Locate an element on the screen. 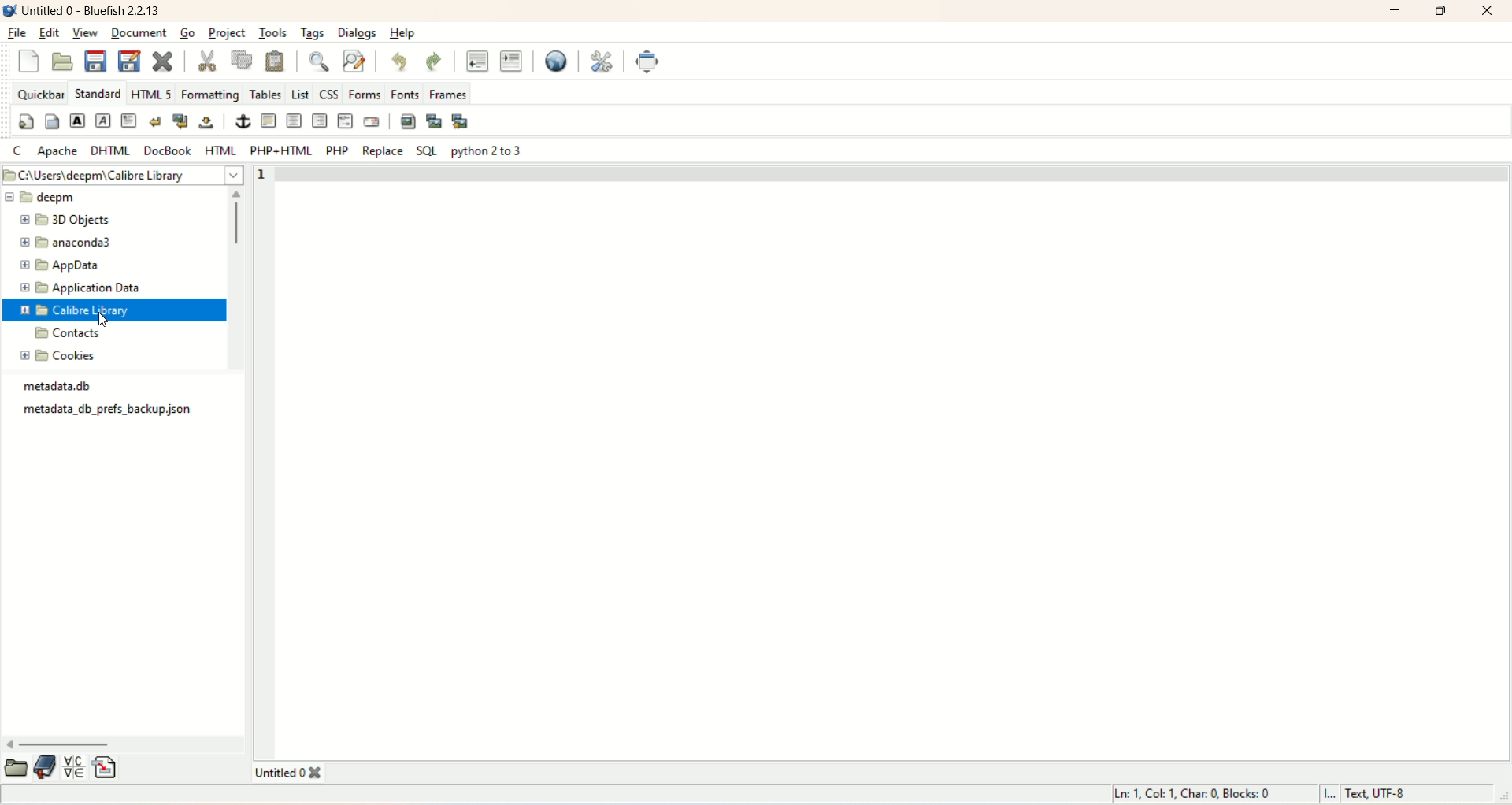 The image size is (1512, 805). insert file is located at coordinates (106, 766).